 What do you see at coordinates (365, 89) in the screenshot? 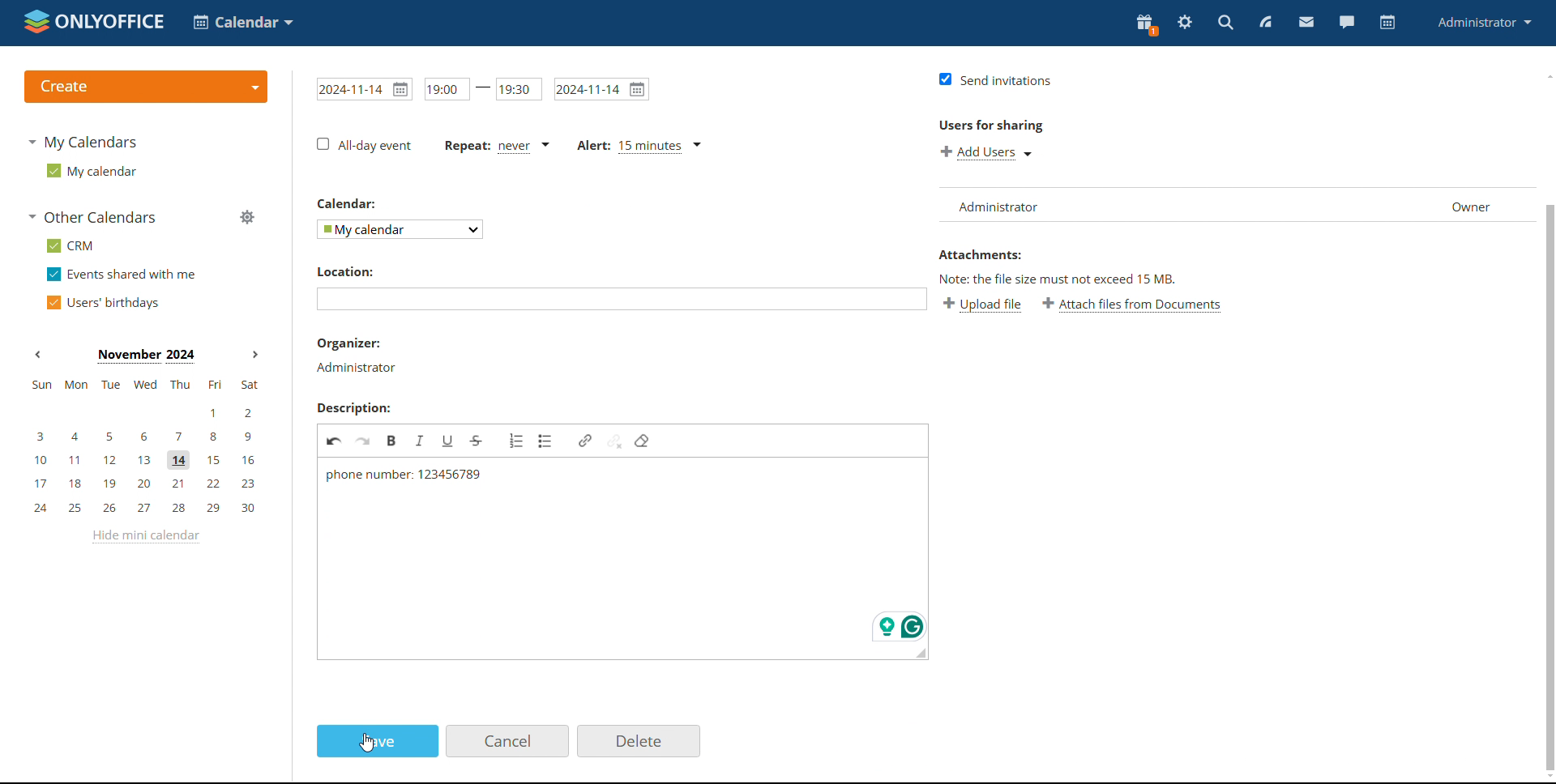
I see `date` at bounding box center [365, 89].